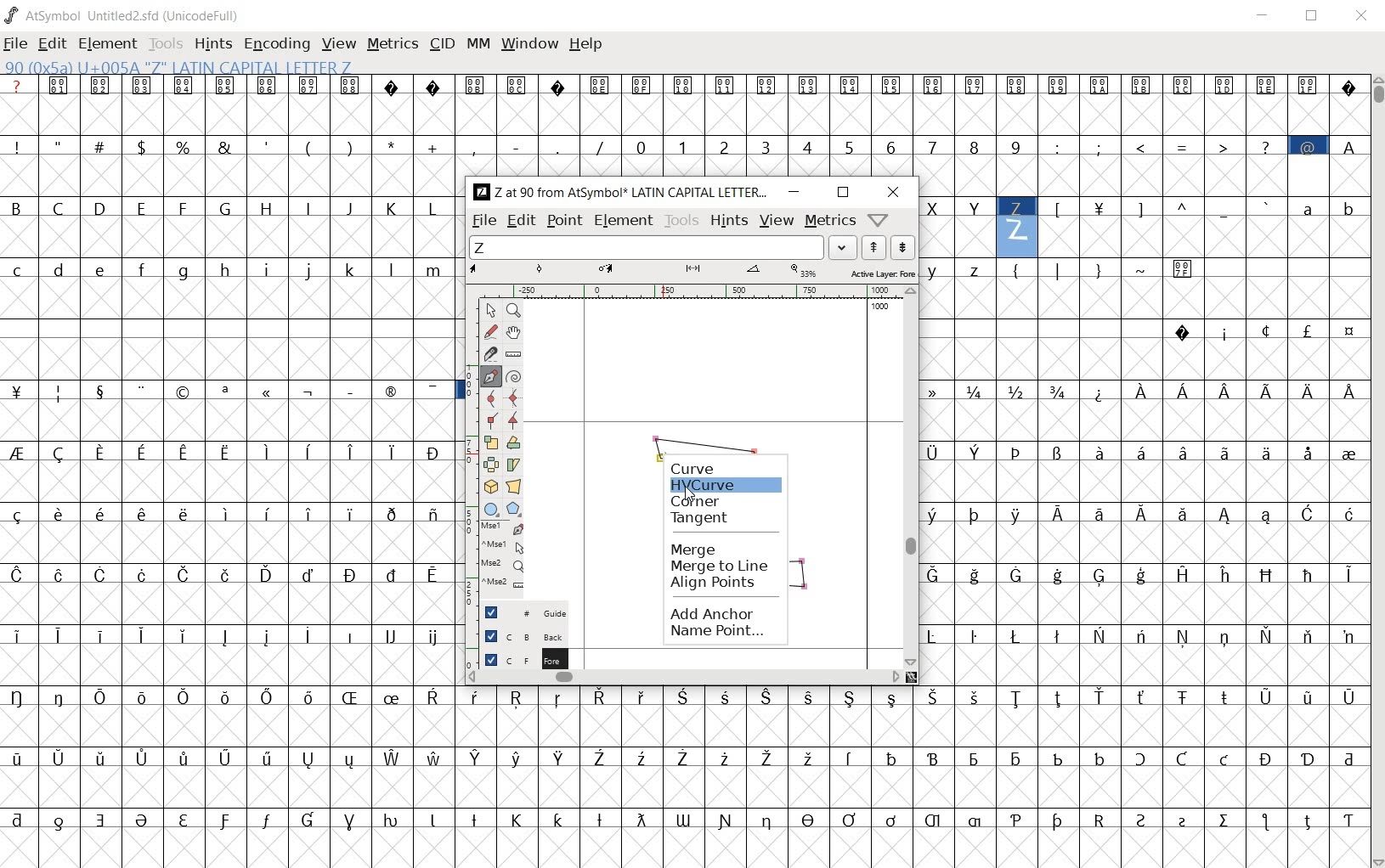 This screenshot has height=868, width=1385. Describe the element at coordinates (685, 679) in the screenshot. I see `scrollbar` at that location.